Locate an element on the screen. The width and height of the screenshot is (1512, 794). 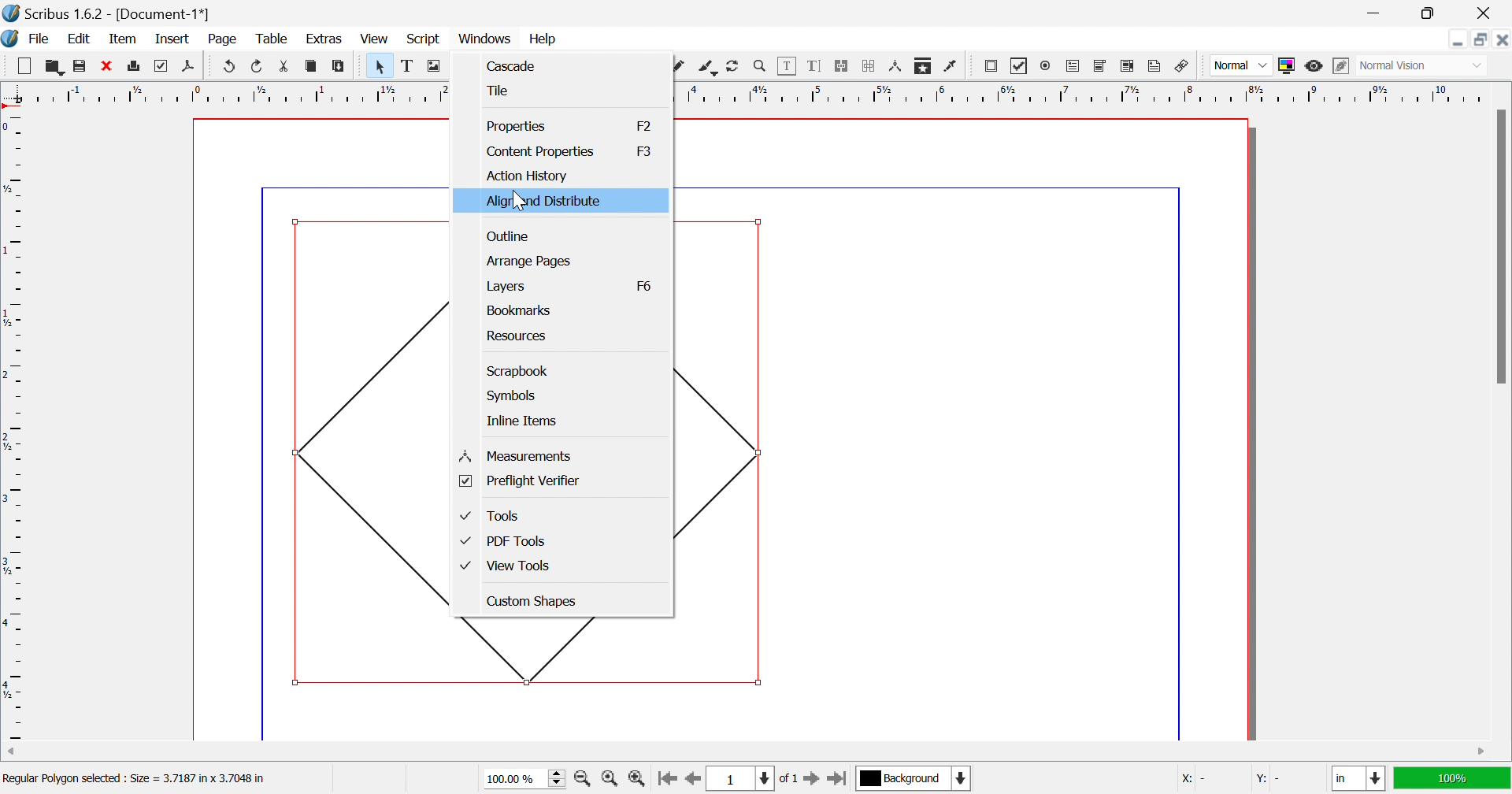
Inline items is located at coordinates (524, 421).